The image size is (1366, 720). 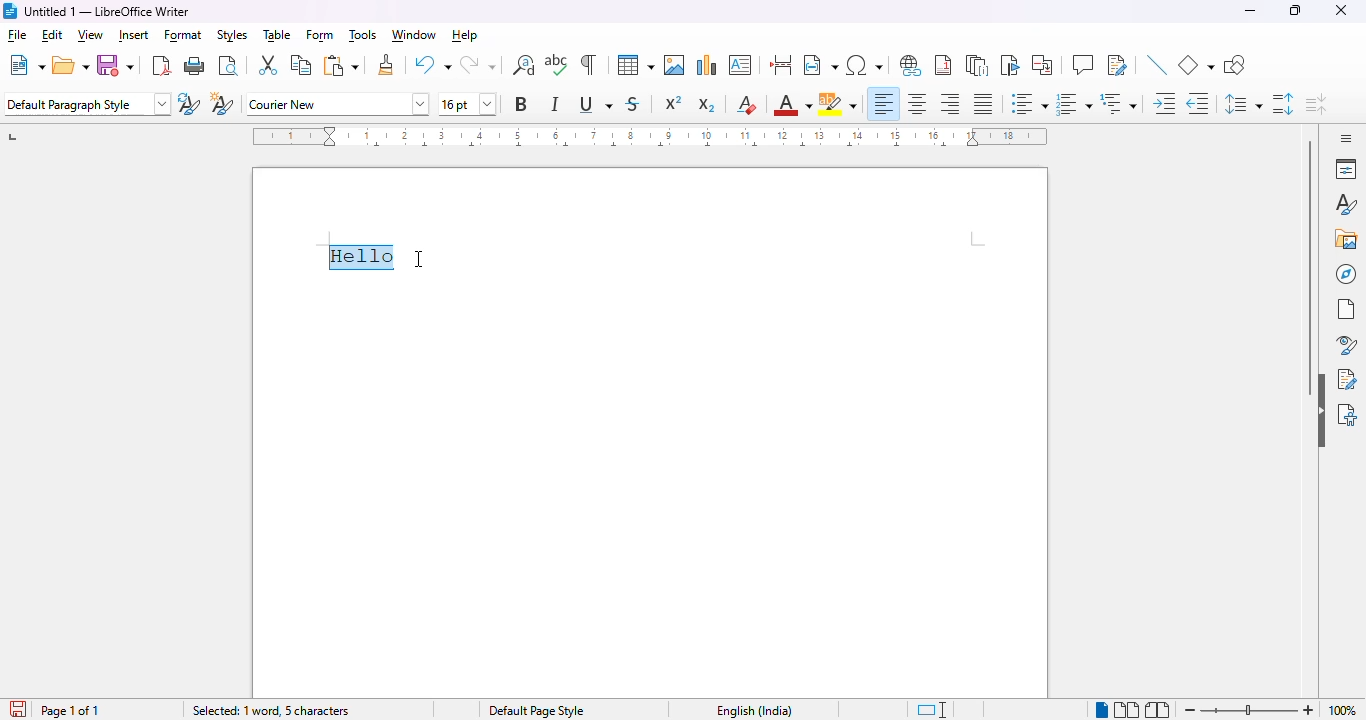 I want to click on increase paragraph spacing, so click(x=1282, y=104).